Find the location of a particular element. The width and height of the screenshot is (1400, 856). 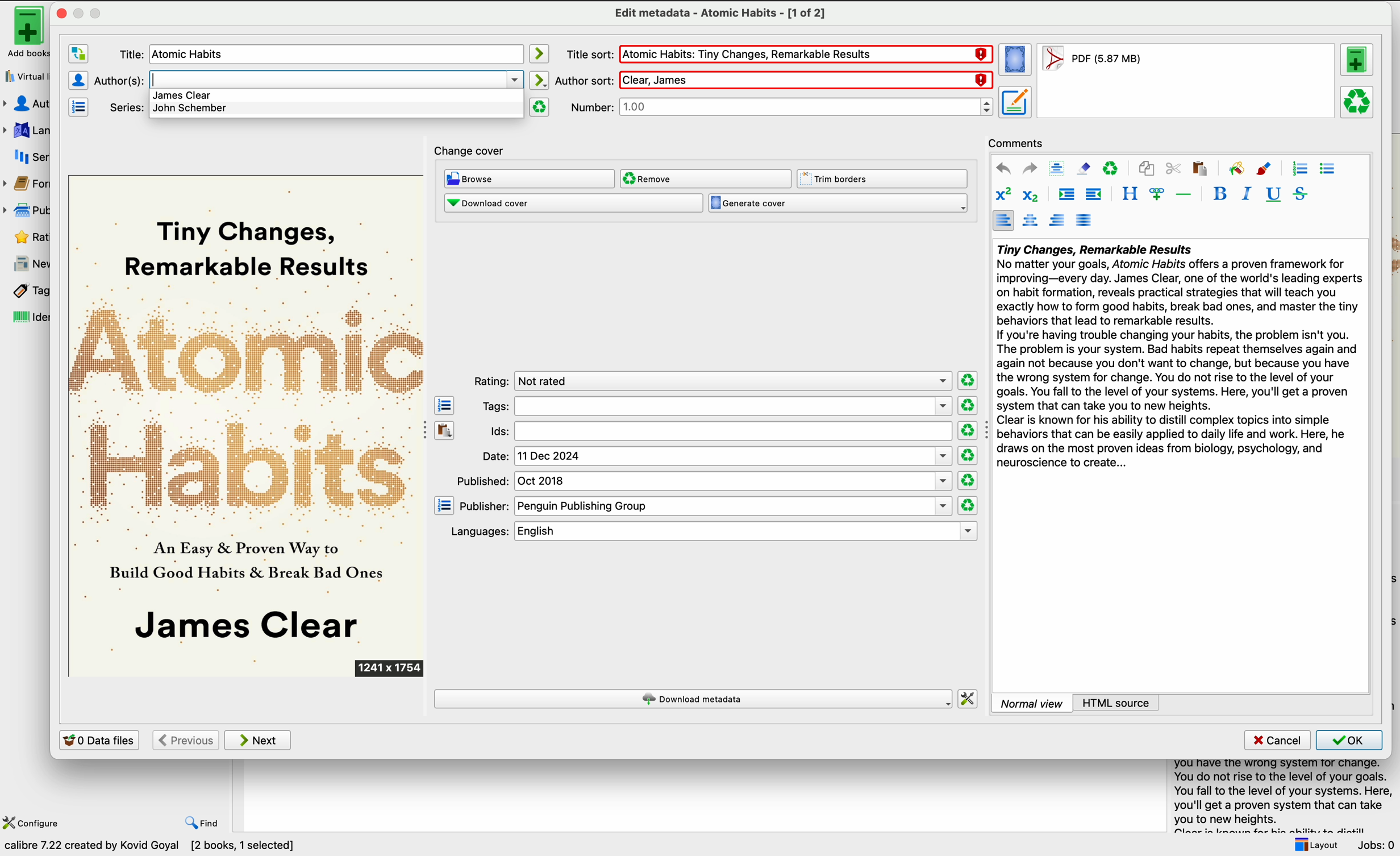

data is located at coordinates (154, 847).